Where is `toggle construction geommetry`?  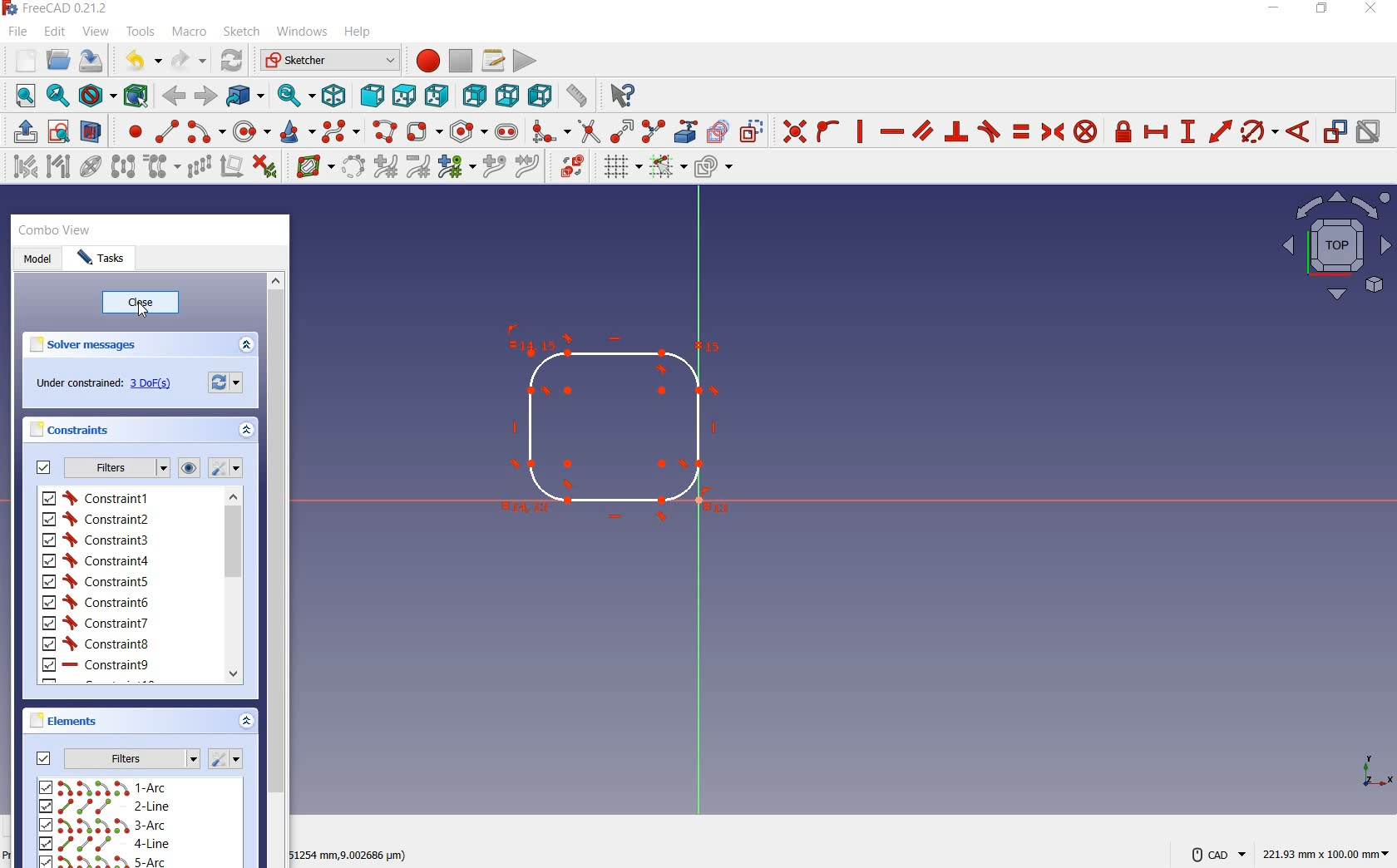 toggle construction geommetry is located at coordinates (754, 131).